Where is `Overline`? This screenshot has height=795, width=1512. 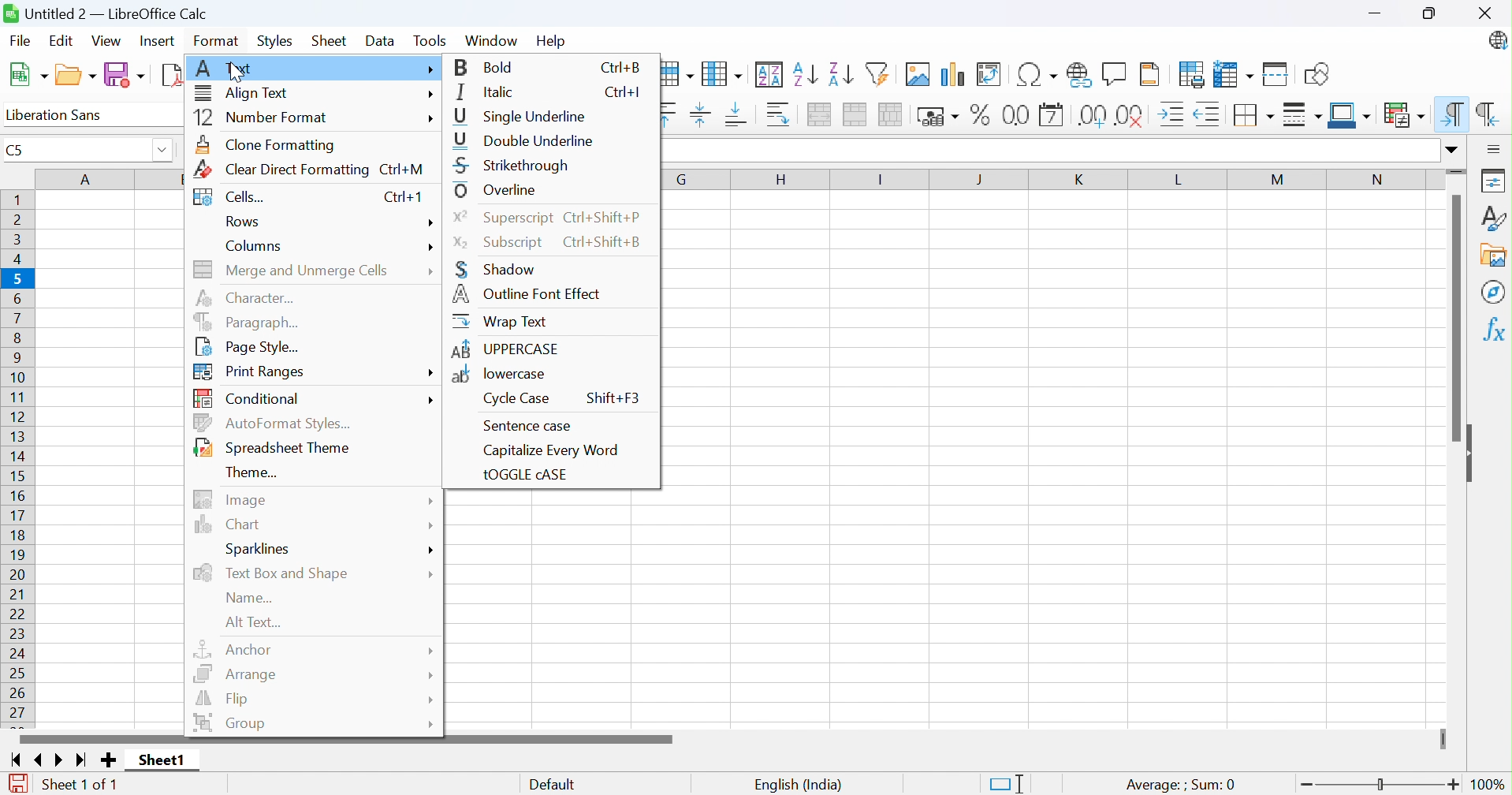
Overline is located at coordinates (498, 191).